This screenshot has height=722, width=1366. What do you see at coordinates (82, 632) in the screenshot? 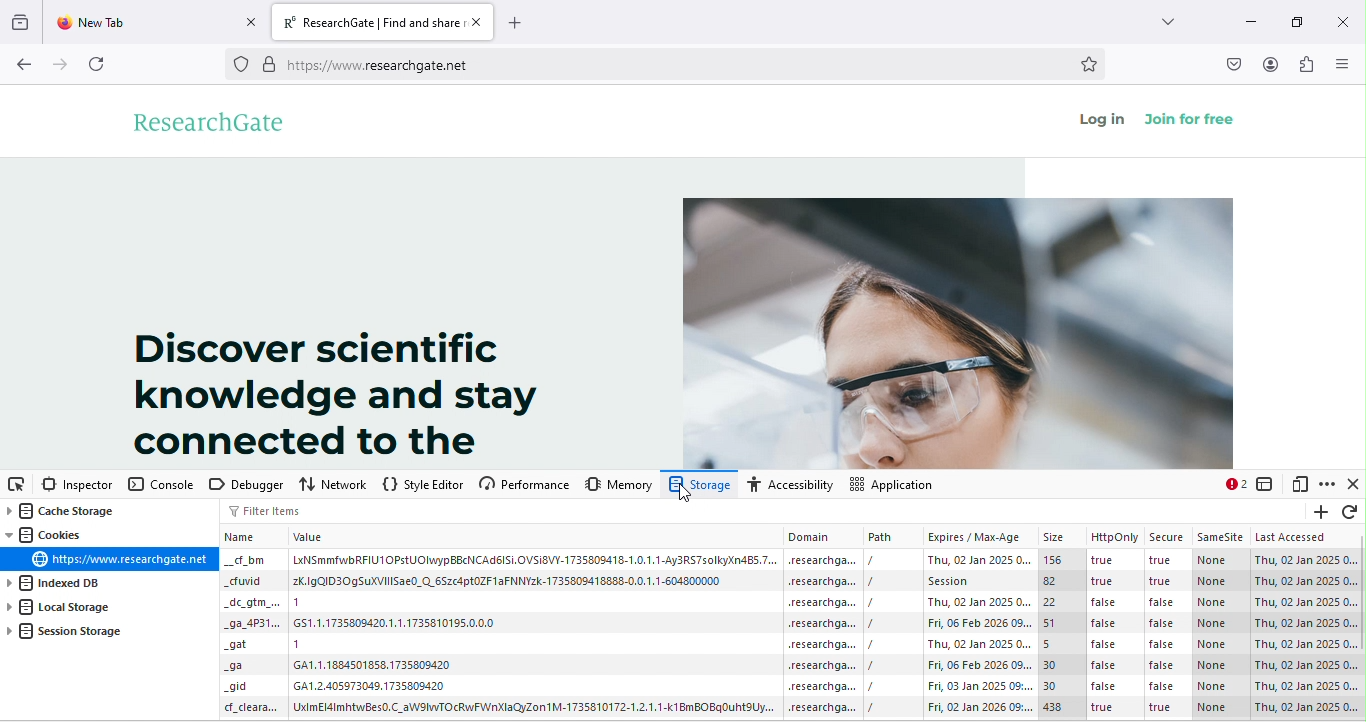
I see `session storage` at bounding box center [82, 632].